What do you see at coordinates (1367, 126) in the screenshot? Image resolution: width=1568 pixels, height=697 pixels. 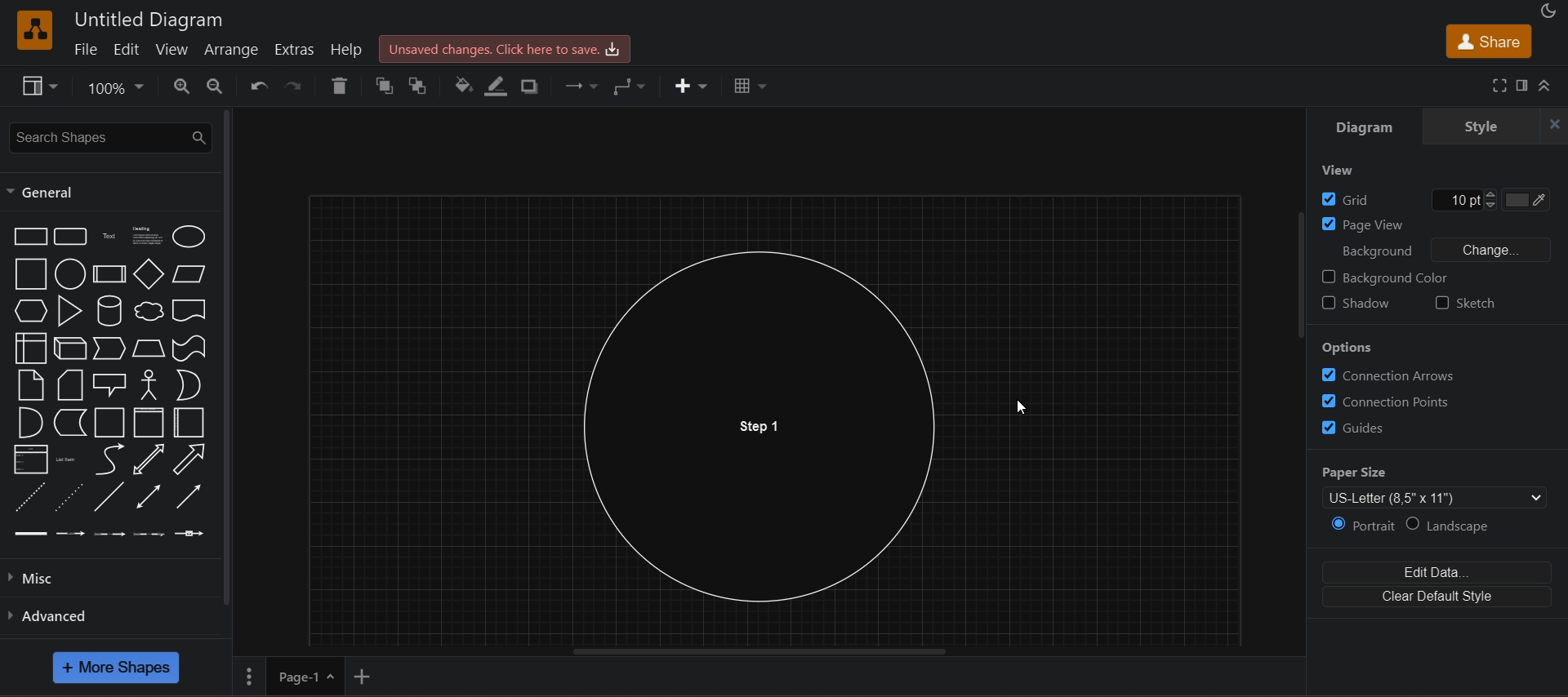 I see `diagram` at bounding box center [1367, 126].